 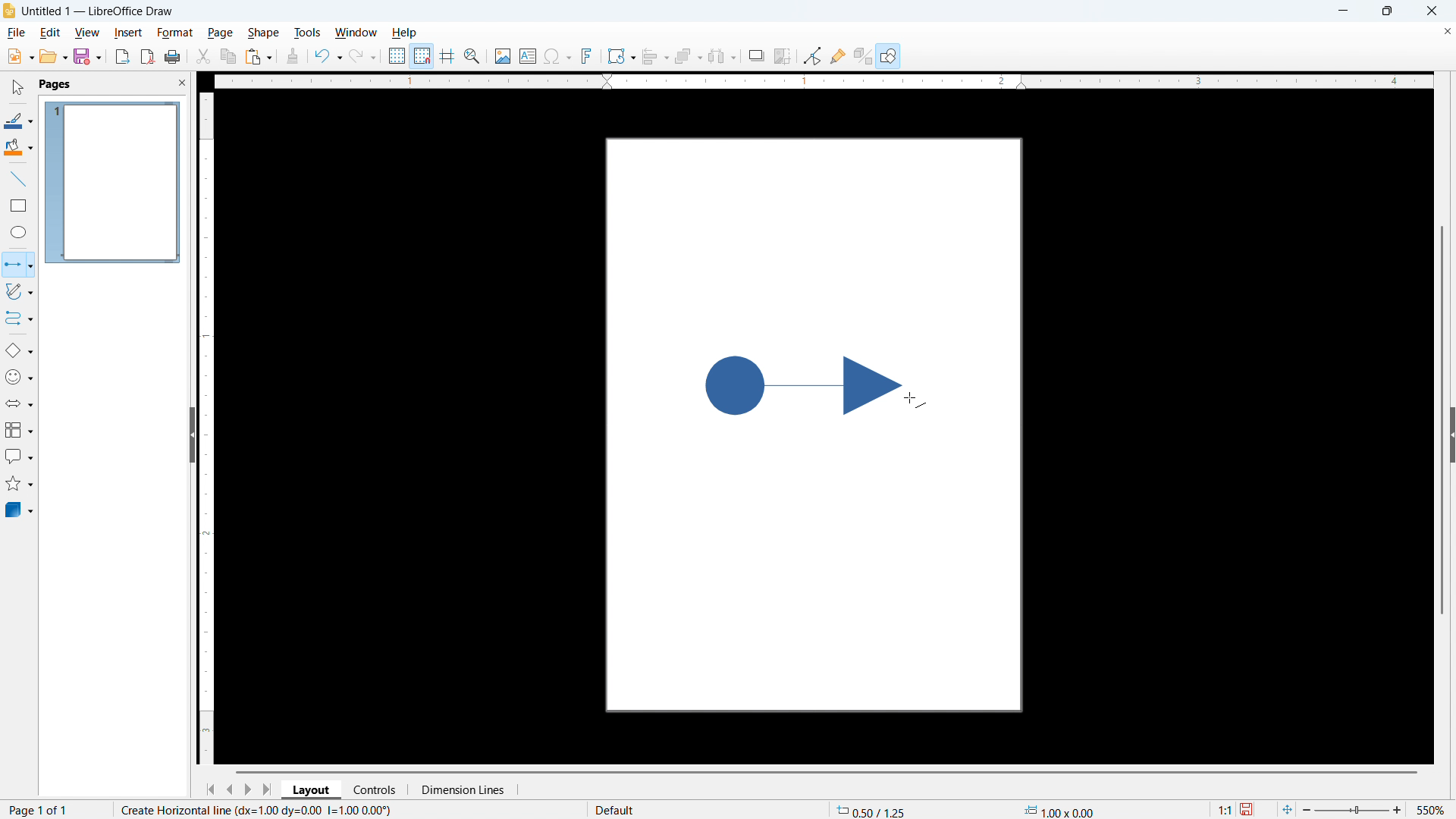 I want to click on Page 1 of 1, so click(x=41, y=808).